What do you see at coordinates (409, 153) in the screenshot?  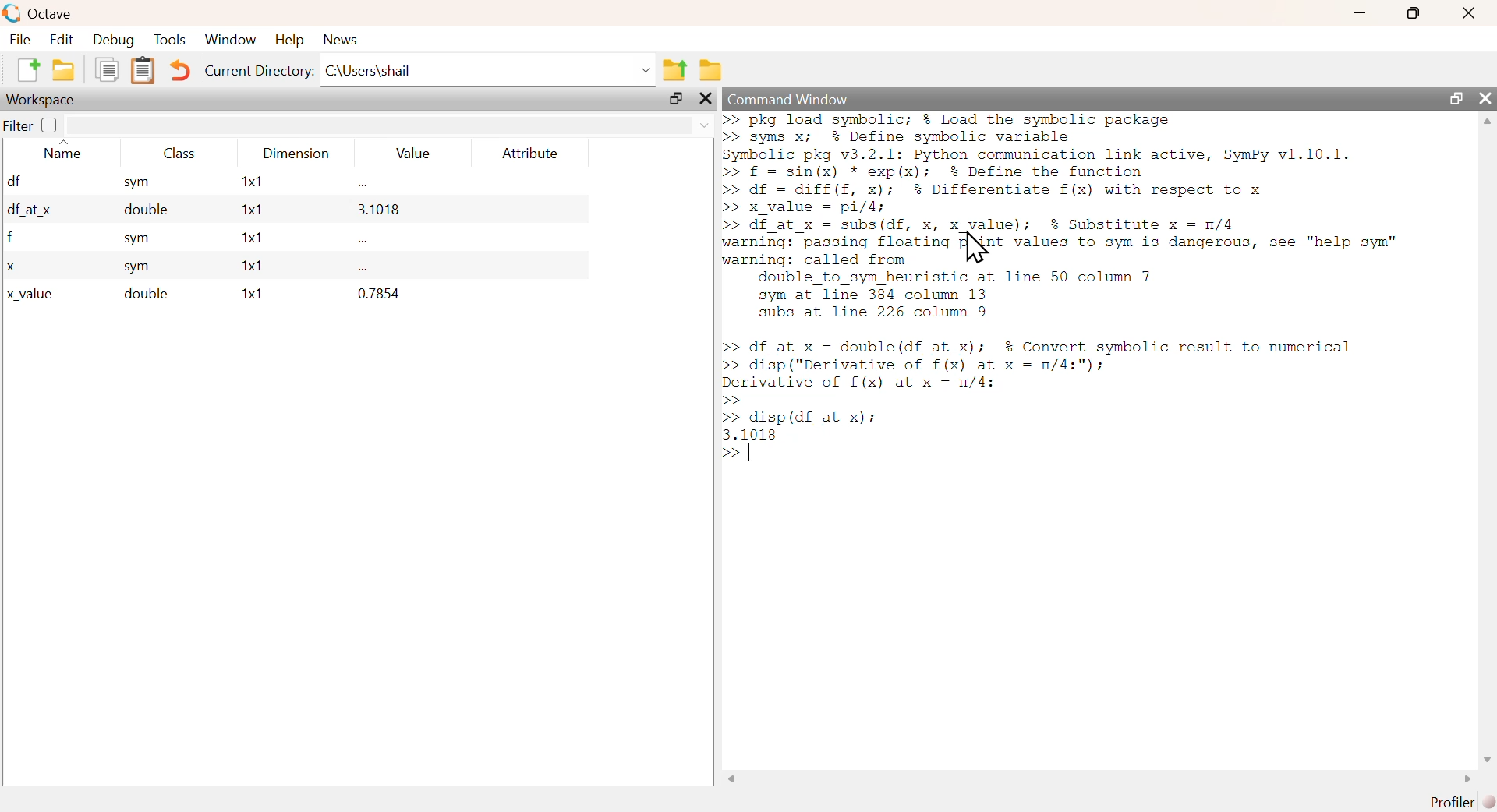 I see `Value` at bounding box center [409, 153].